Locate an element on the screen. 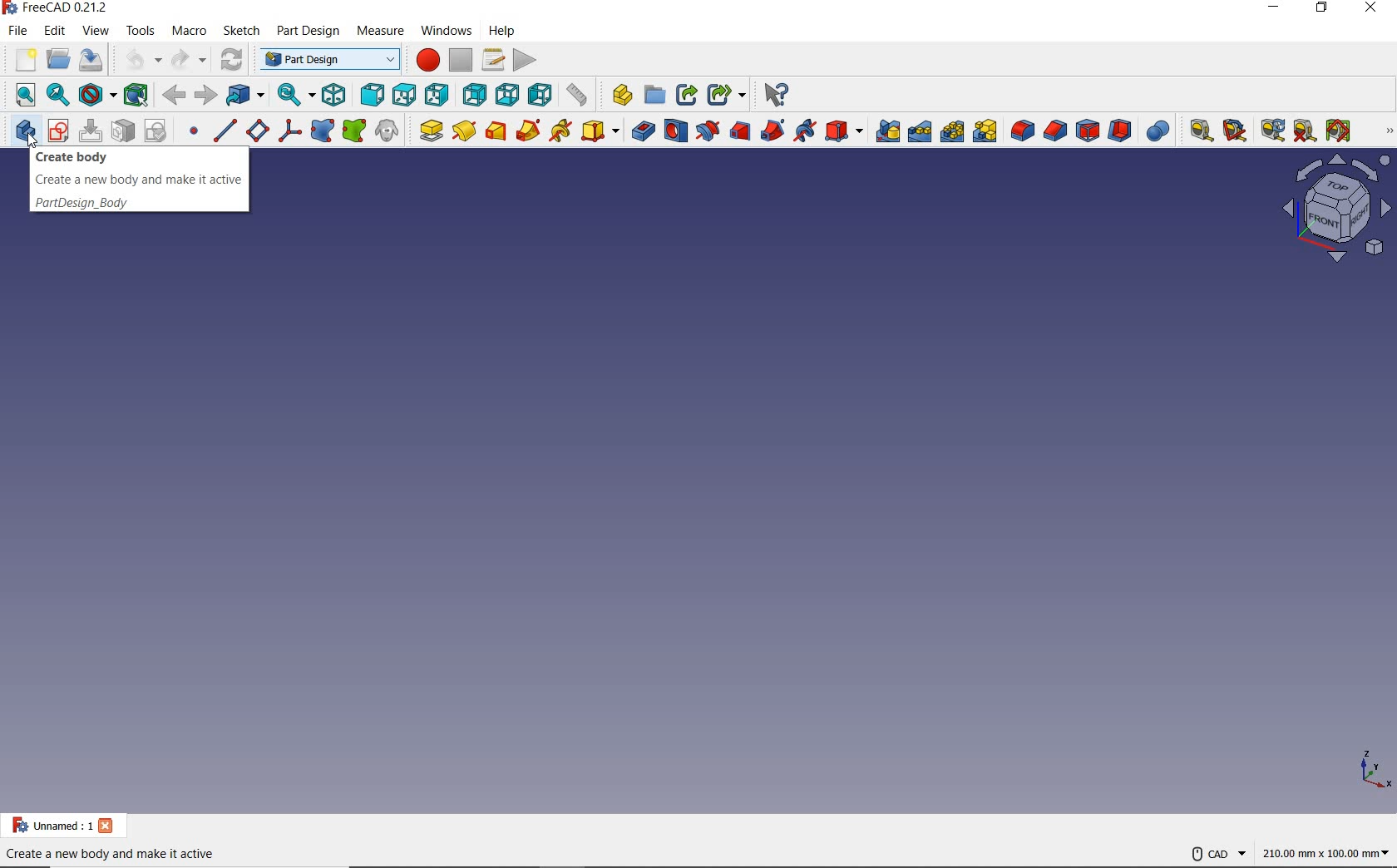 The image size is (1397, 868). EDIT is located at coordinates (54, 32).